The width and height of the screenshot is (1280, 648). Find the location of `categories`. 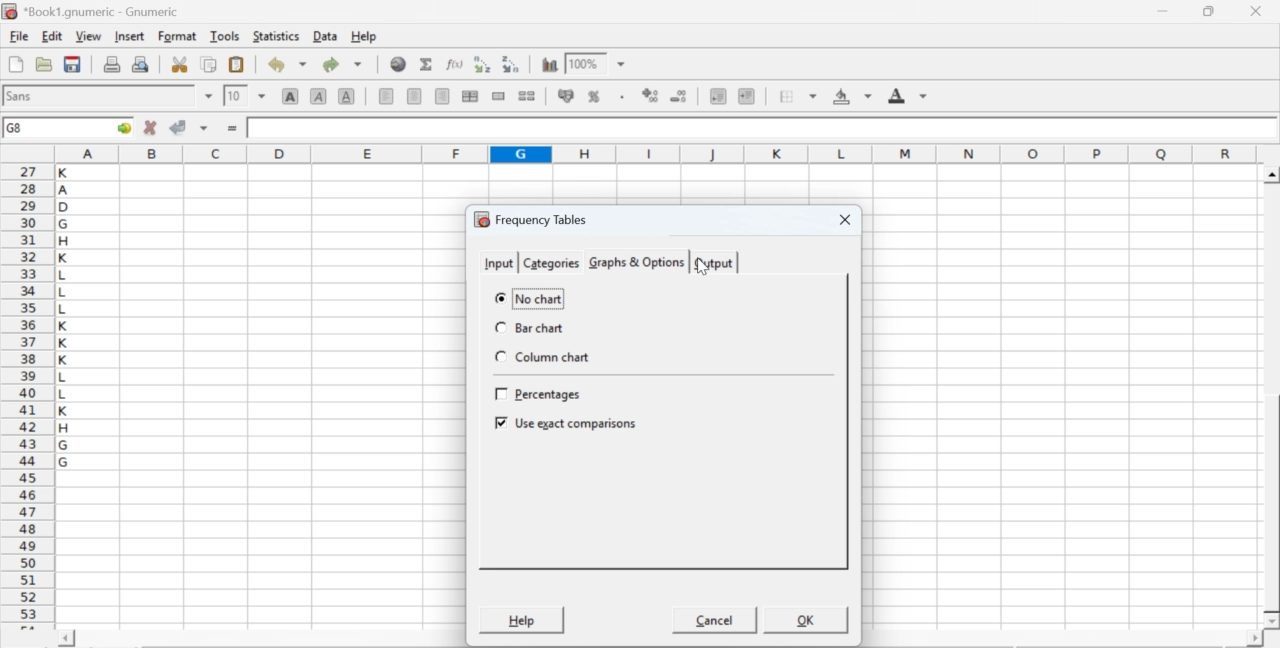

categories is located at coordinates (550, 263).